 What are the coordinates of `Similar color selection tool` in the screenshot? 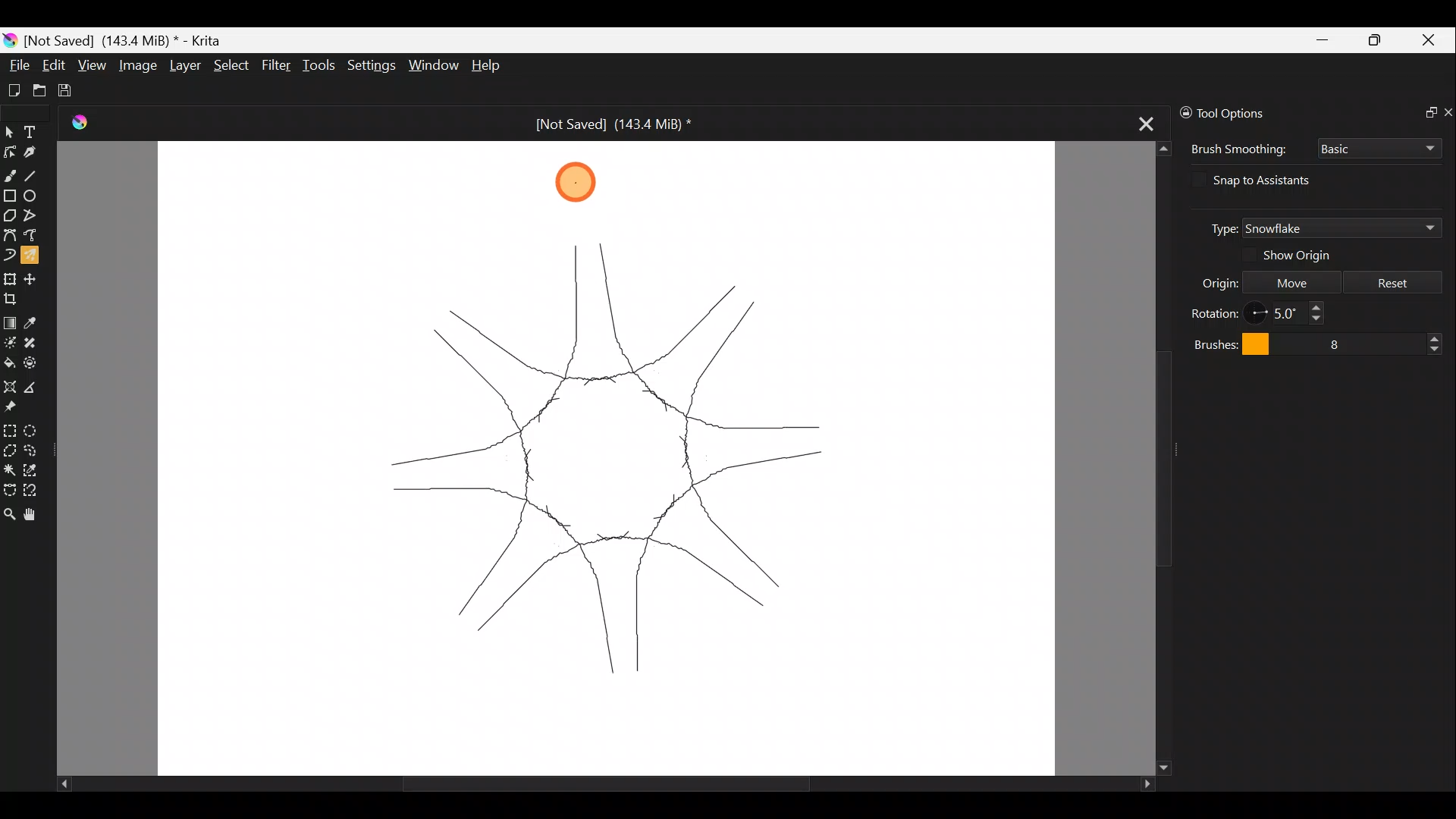 It's located at (33, 469).